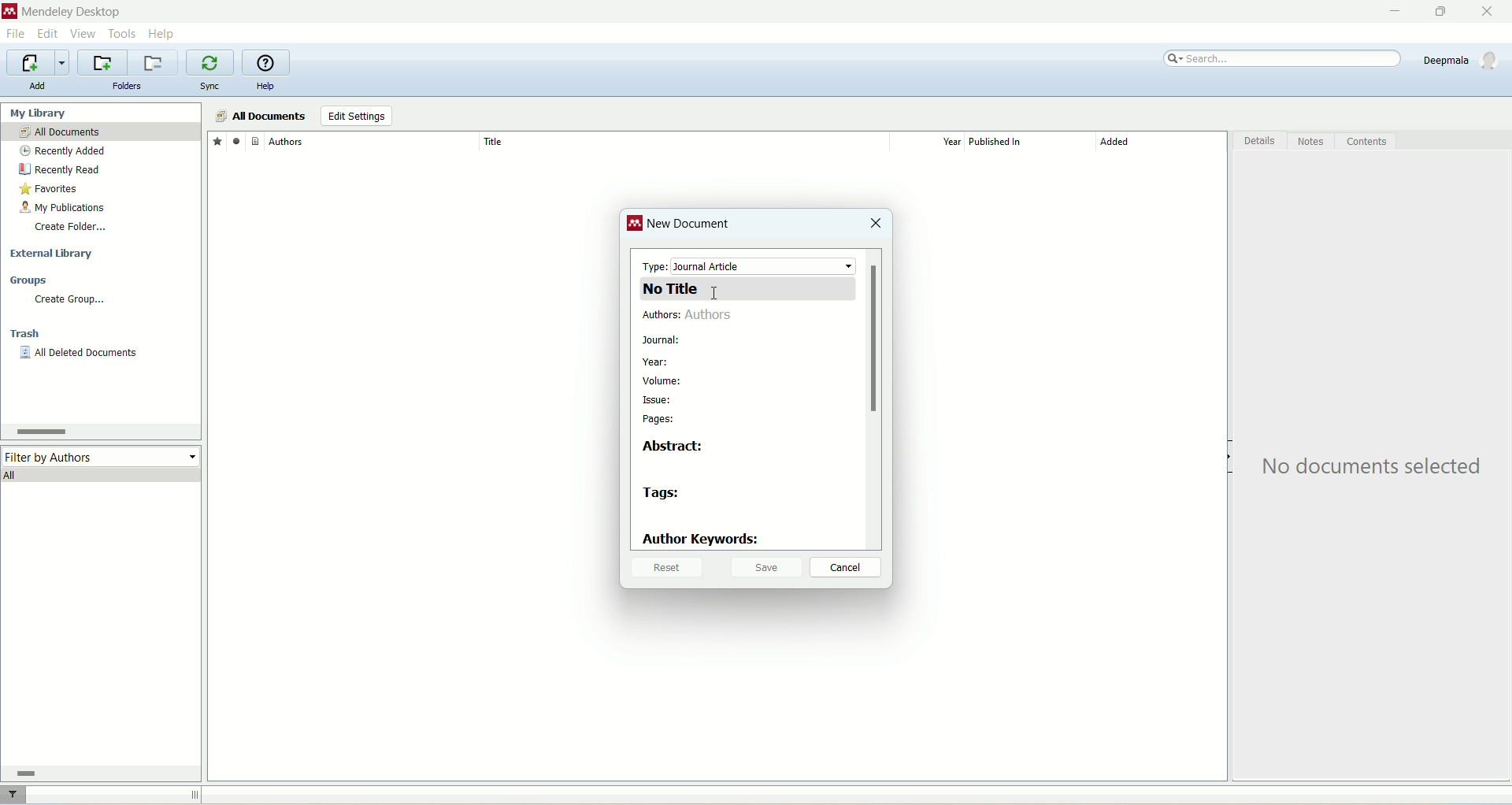 The width and height of the screenshot is (1512, 805). What do you see at coordinates (693, 317) in the screenshot?
I see `authors` at bounding box center [693, 317].